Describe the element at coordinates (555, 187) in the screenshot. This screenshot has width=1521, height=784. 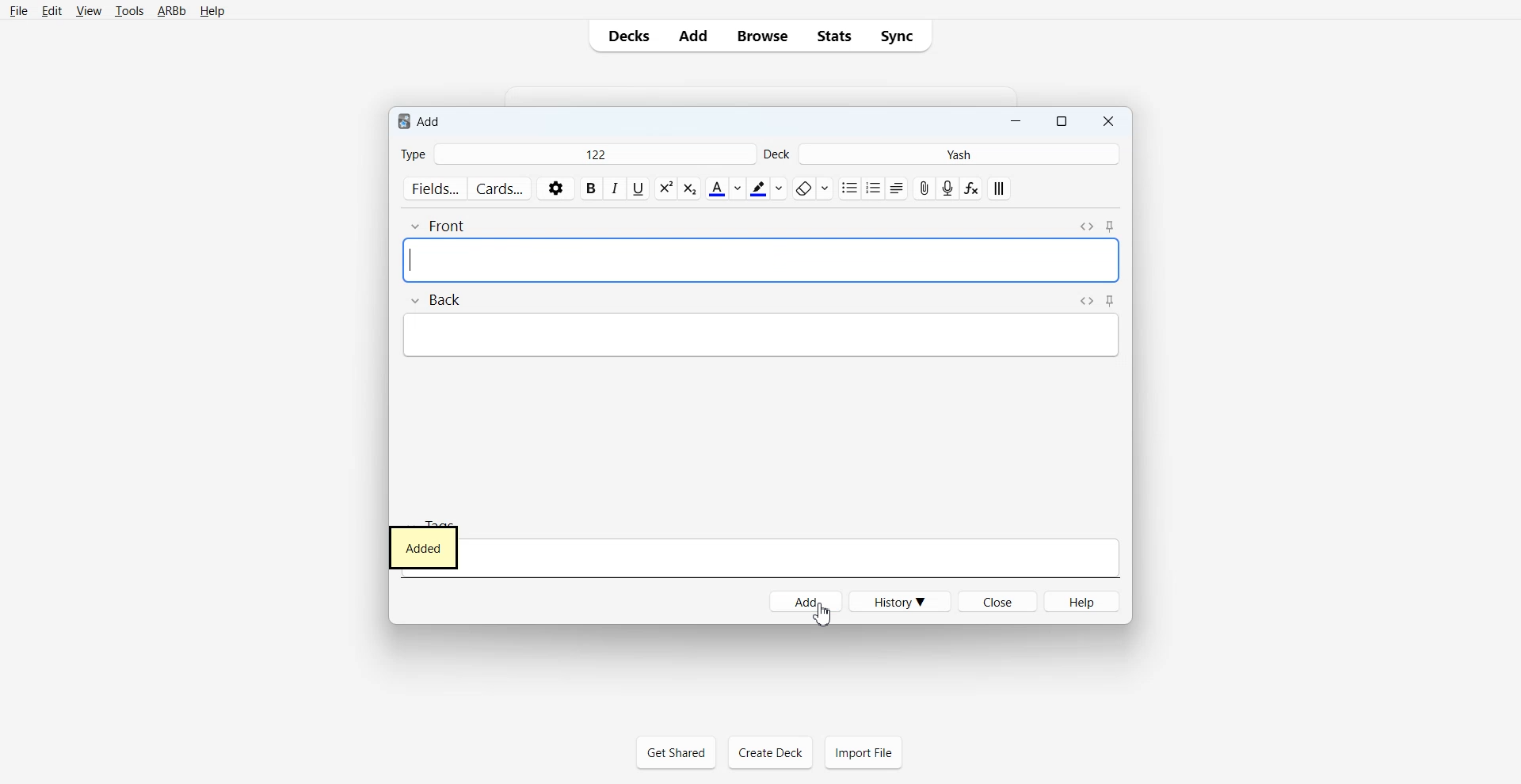
I see `settings` at that location.